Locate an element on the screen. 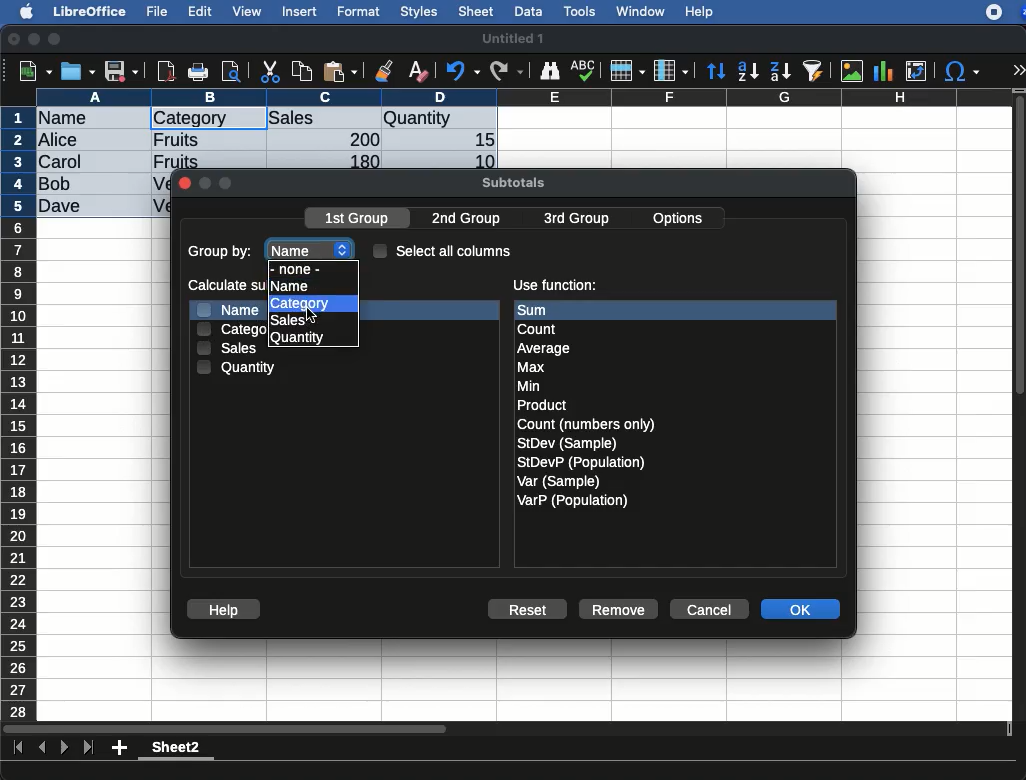 The height and width of the screenshot is (780, 1026). cursor is located at coordinates (313, 318).